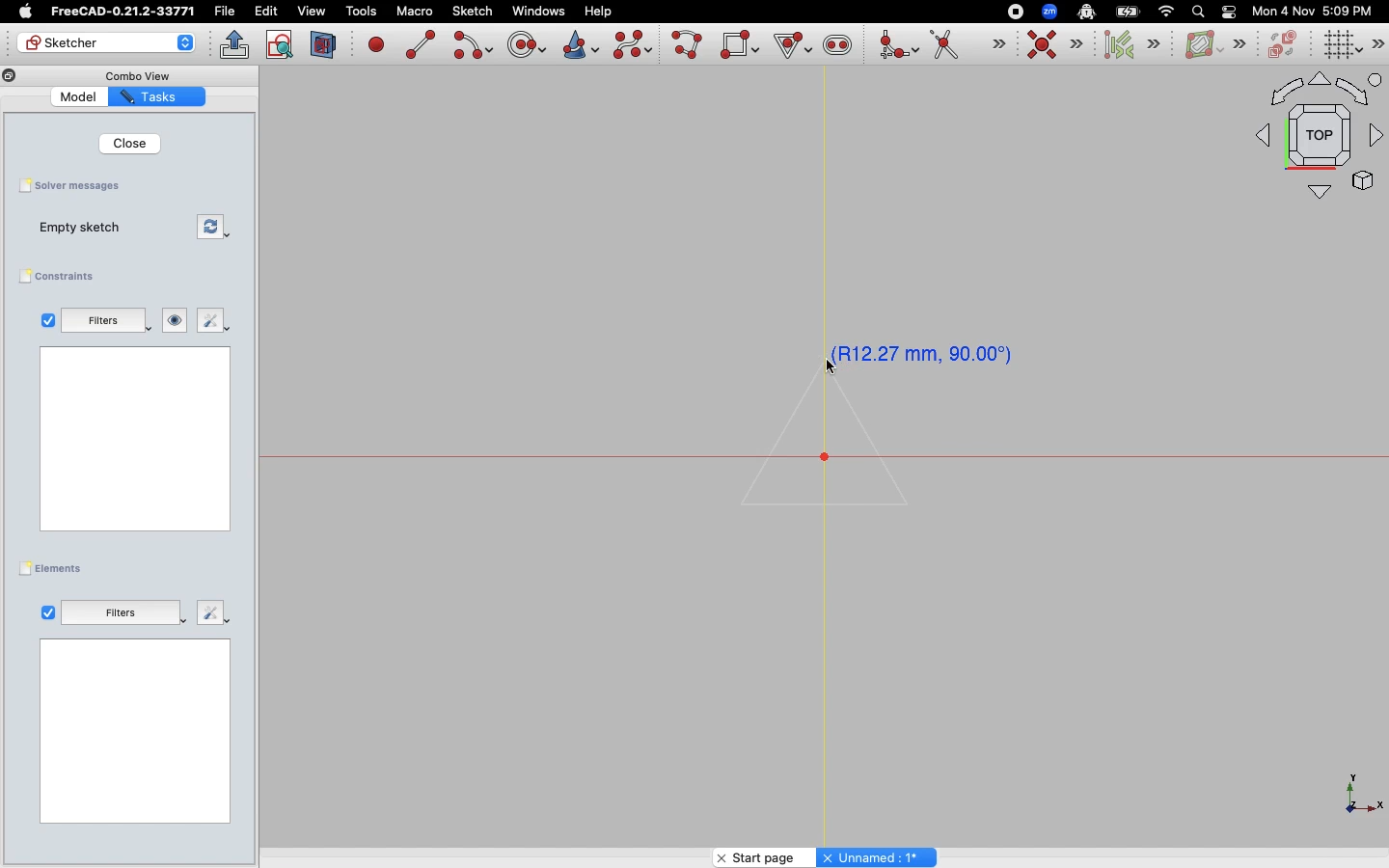  What do you see at coordinates (527, 42) in the screenshot?
I see `Create circle` at bounding box center [527, 42].